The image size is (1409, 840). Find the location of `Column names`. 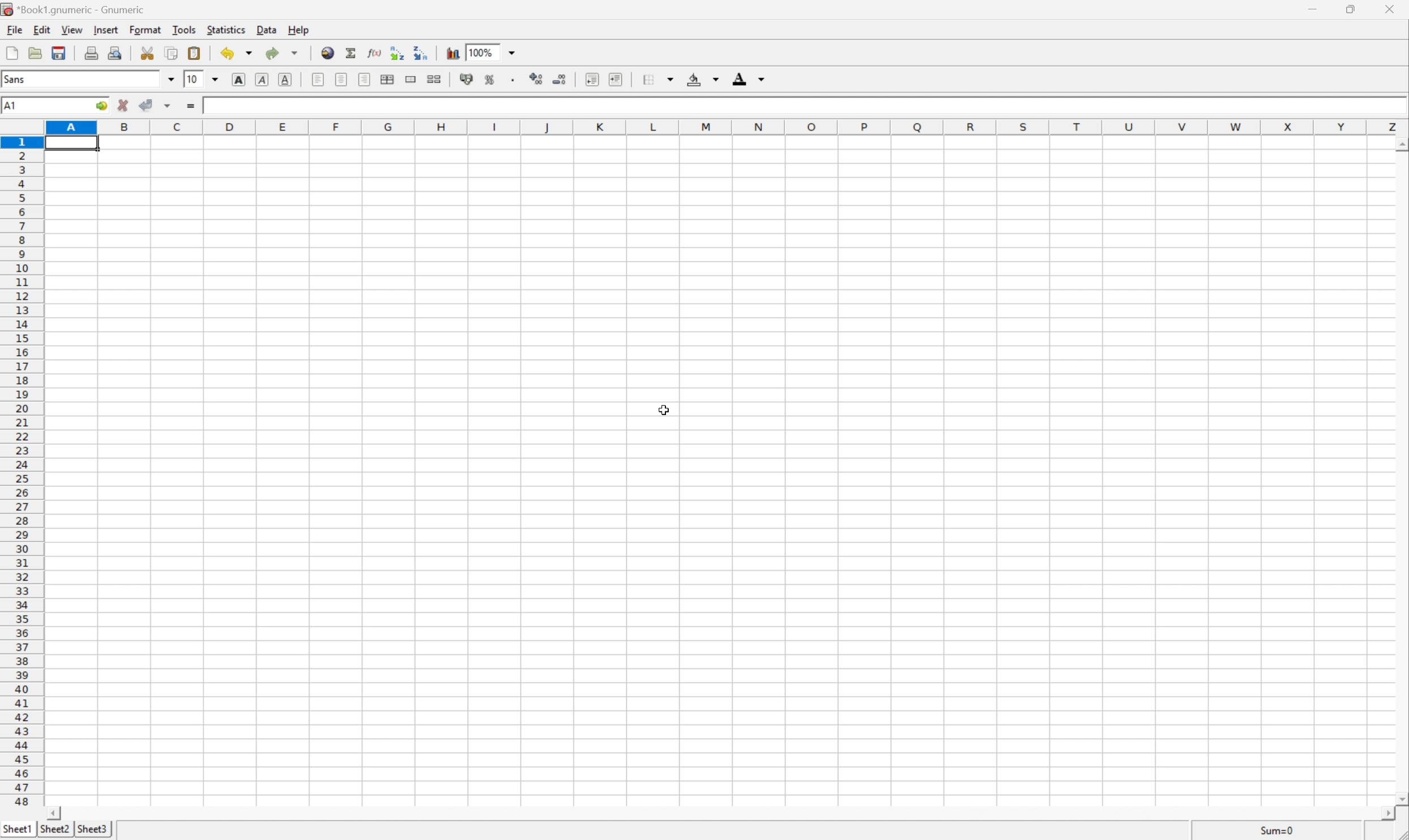

Column names is located at coordinates (727, 127).